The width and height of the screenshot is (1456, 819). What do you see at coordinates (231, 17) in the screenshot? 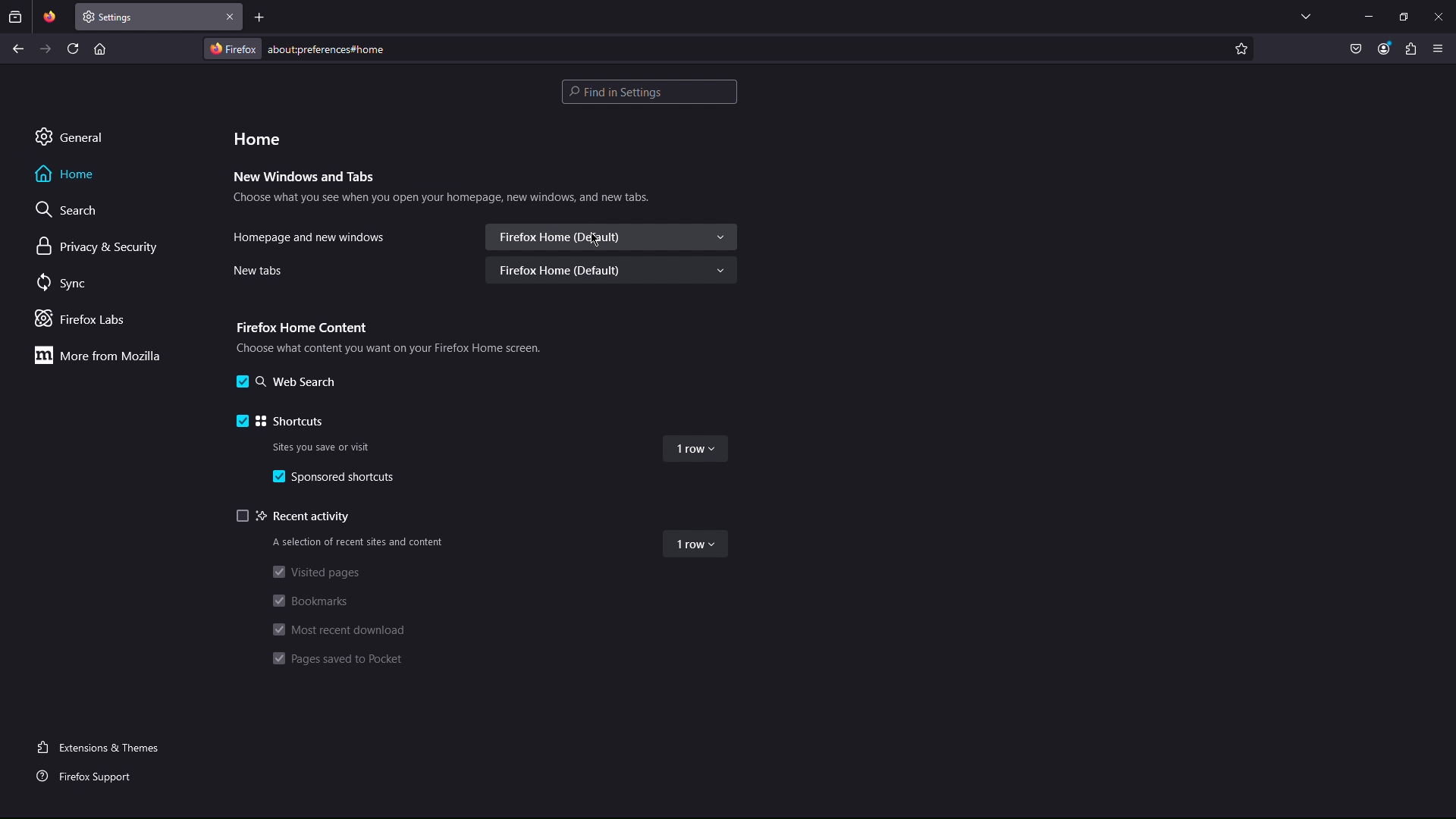
I see `Close` at bounding box center [231, 17].